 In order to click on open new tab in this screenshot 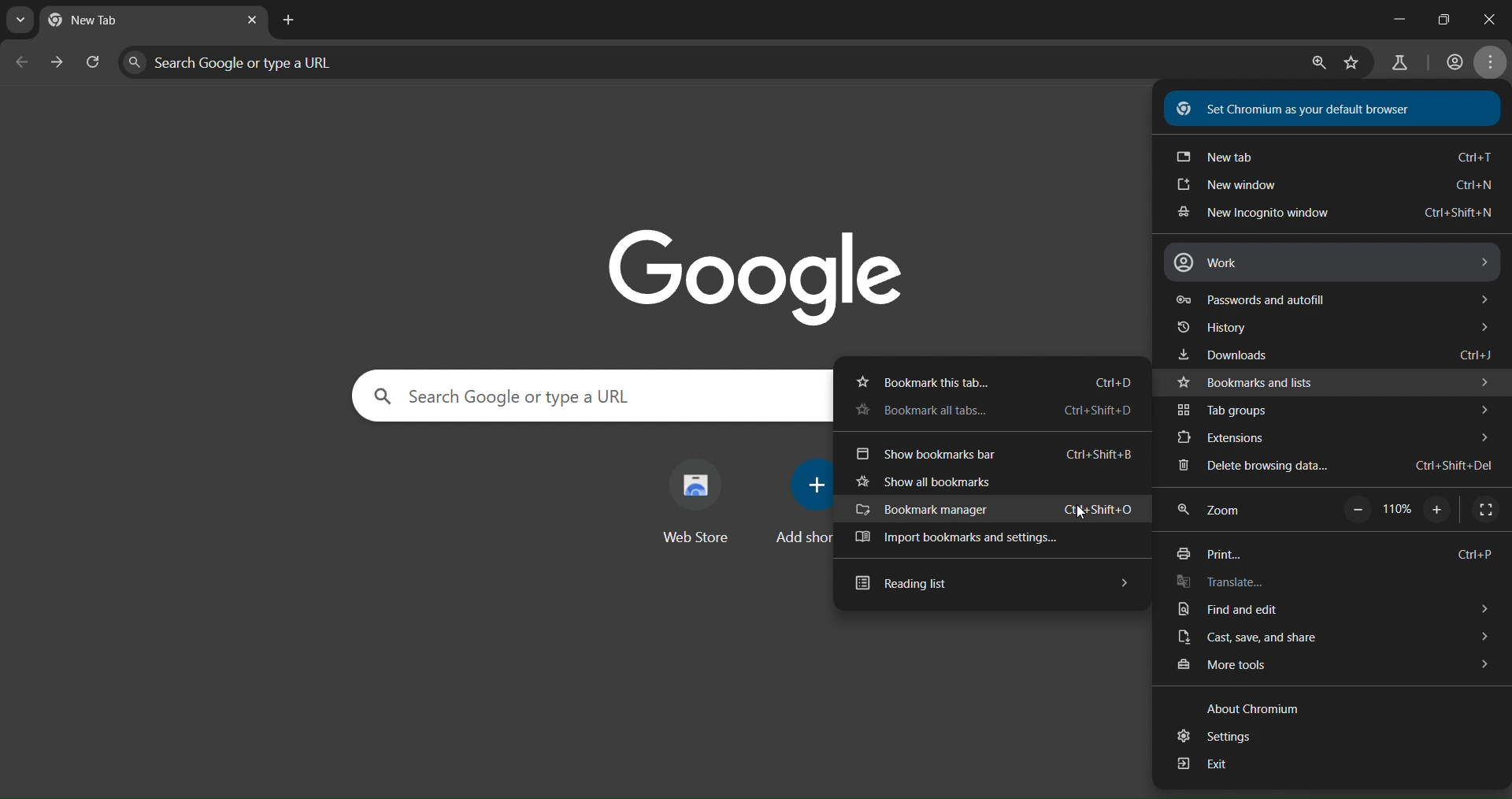, I will do `click(287, 19)`.